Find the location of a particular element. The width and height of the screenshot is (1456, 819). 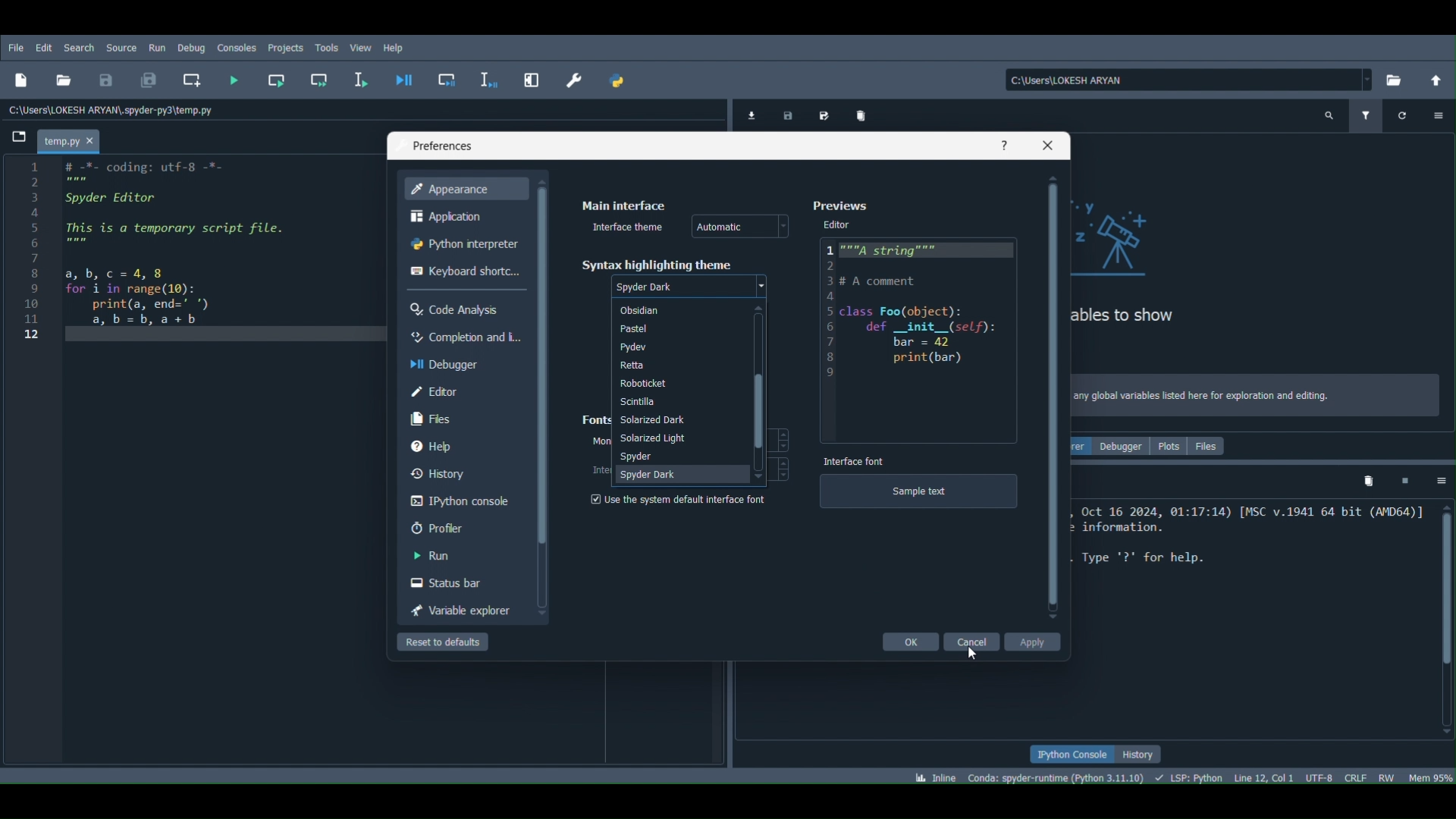

Run is located at coordinates (466, 554).